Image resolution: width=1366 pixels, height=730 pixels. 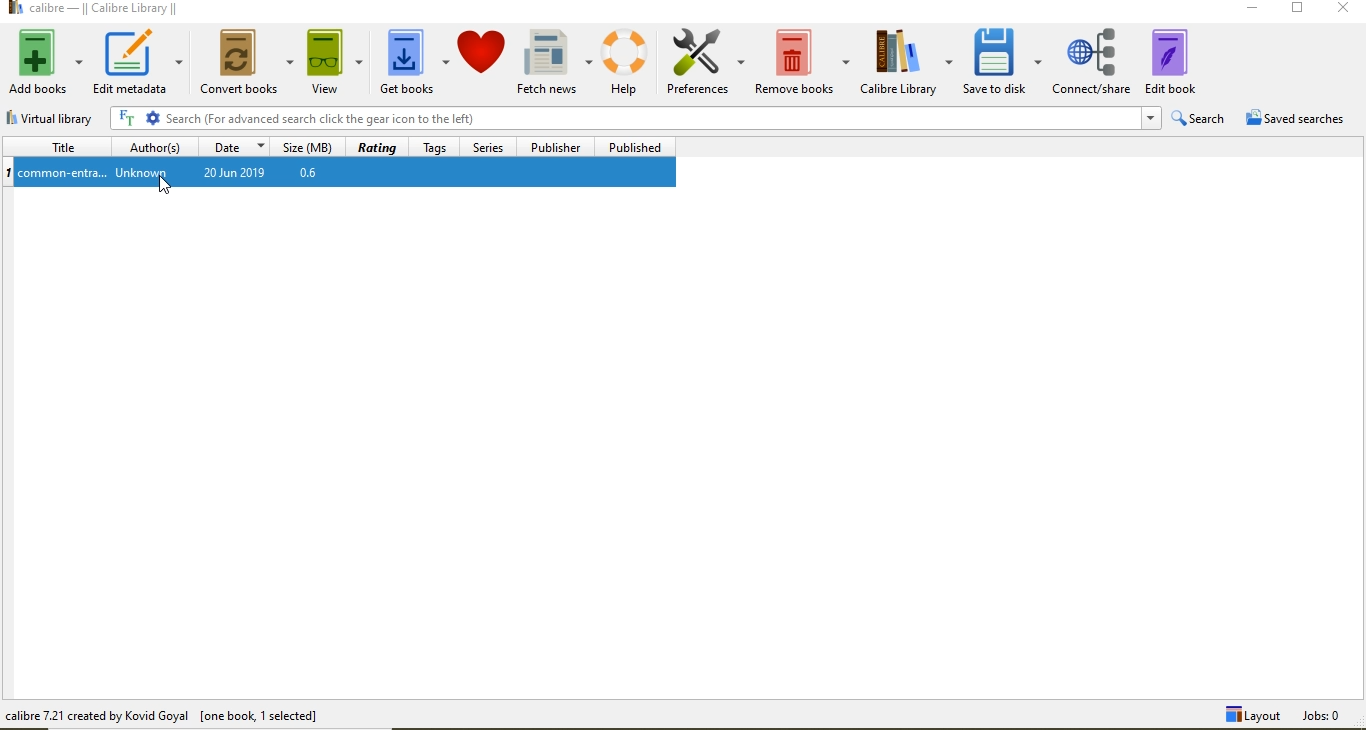 What do you see at coordinates (1340, 11) in the screenshot?
I see `Close` at bounding box center [1340, 11].